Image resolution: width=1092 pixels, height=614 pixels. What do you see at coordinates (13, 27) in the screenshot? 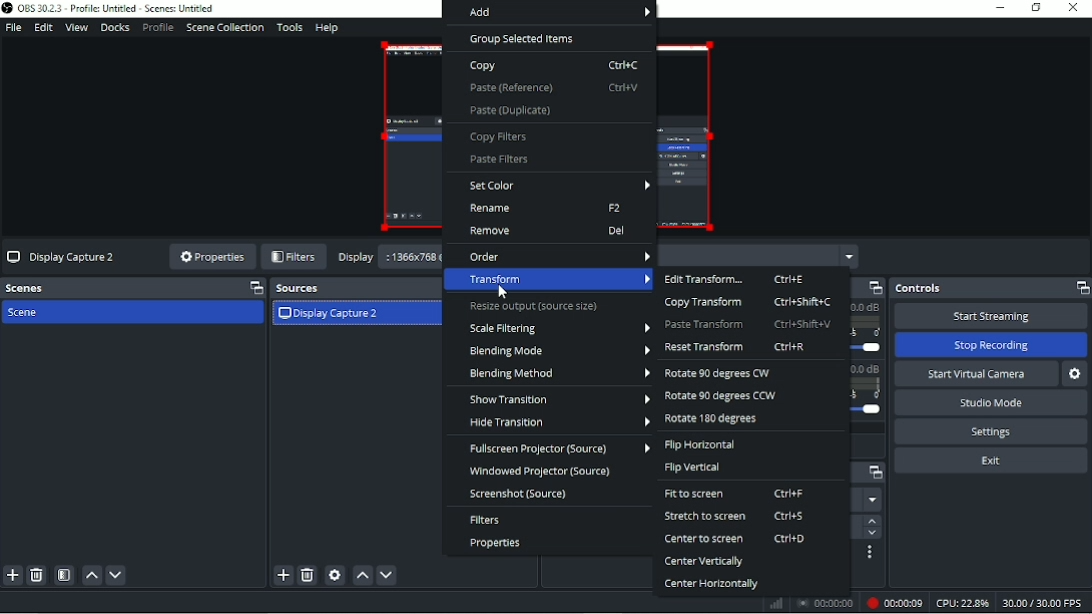
I see `File` at bounding box center [13, 27].